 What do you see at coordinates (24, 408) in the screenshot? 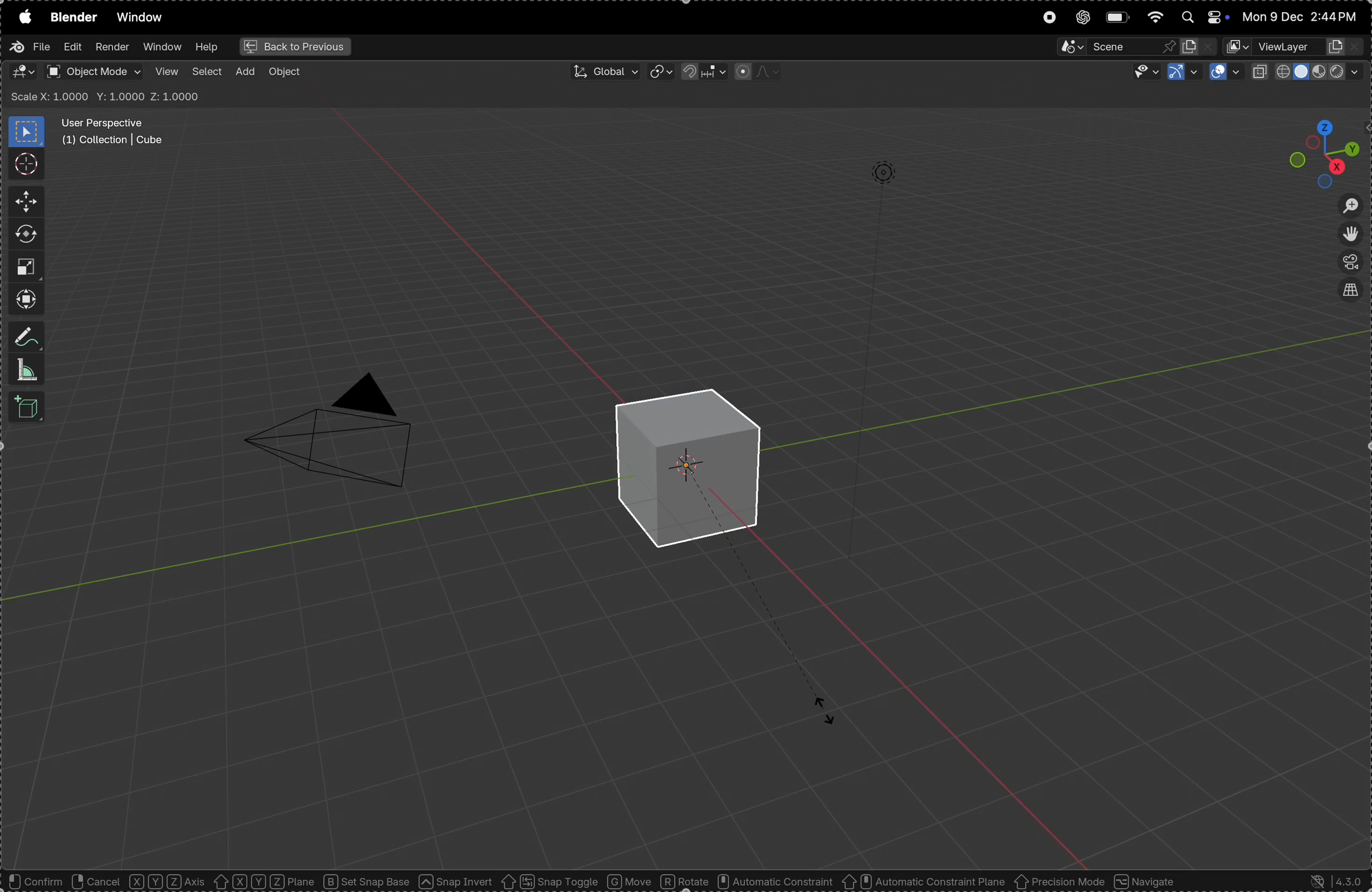
I see `3d cube` at bounding box center [24, 408].